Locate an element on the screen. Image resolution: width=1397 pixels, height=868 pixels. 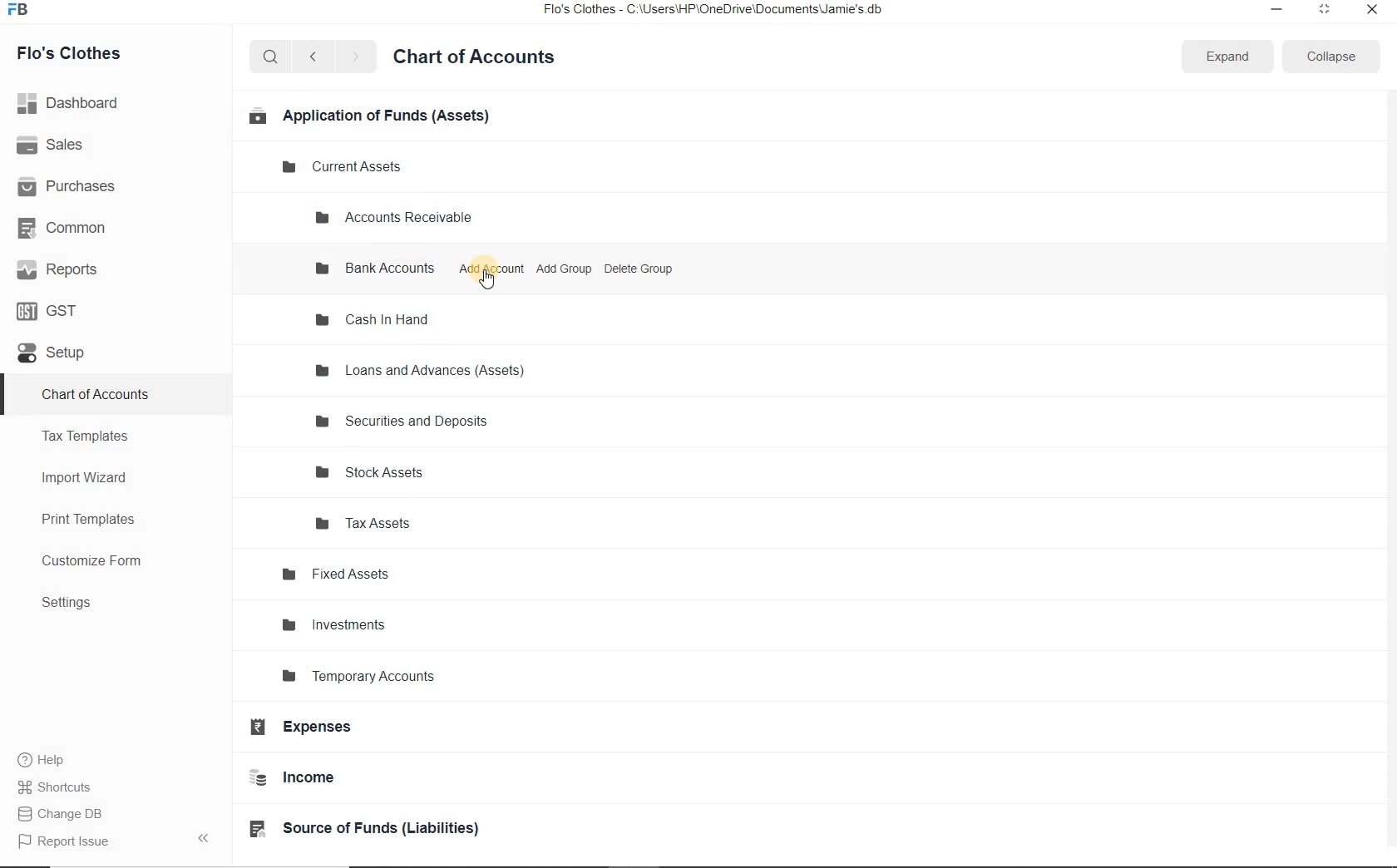
Expenses is located at coordinates (320, 731).